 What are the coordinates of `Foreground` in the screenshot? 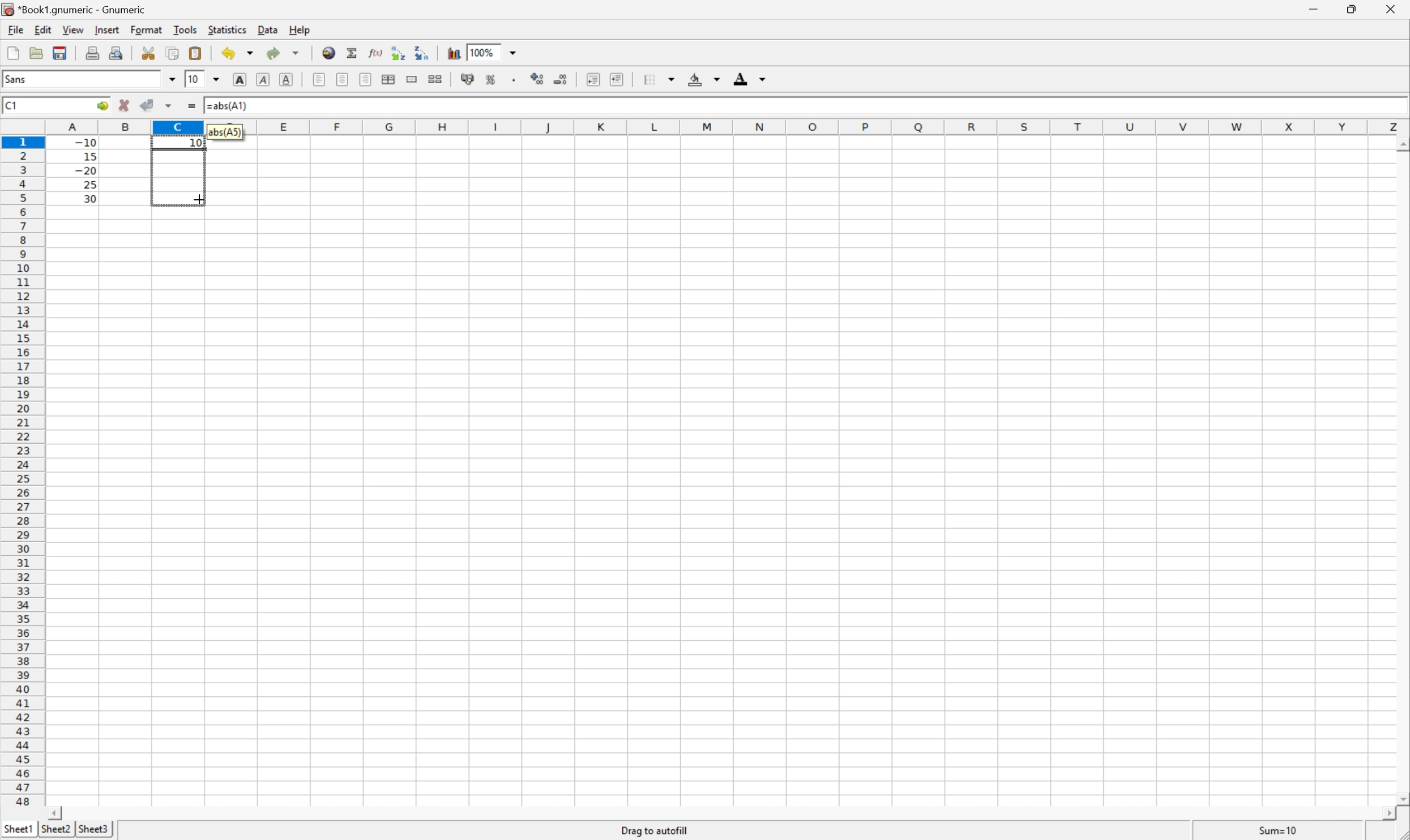 It's located at (740, 81).